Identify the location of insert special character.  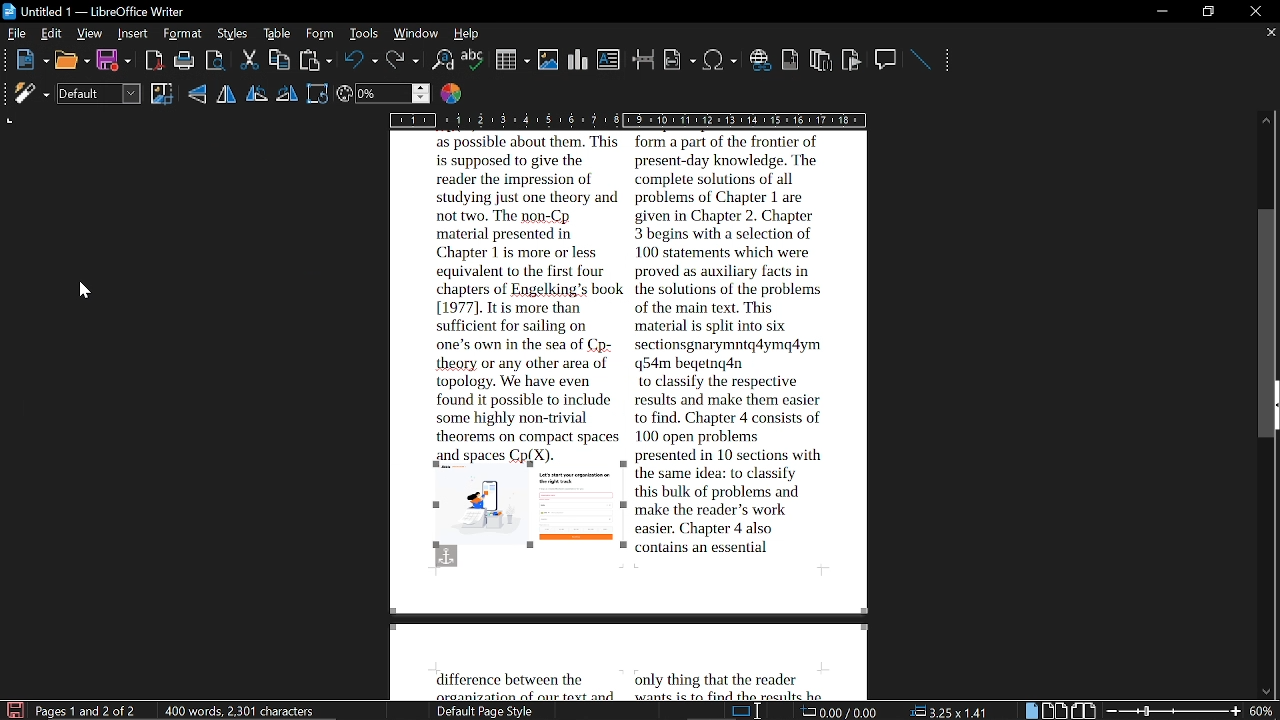
(720, 57).